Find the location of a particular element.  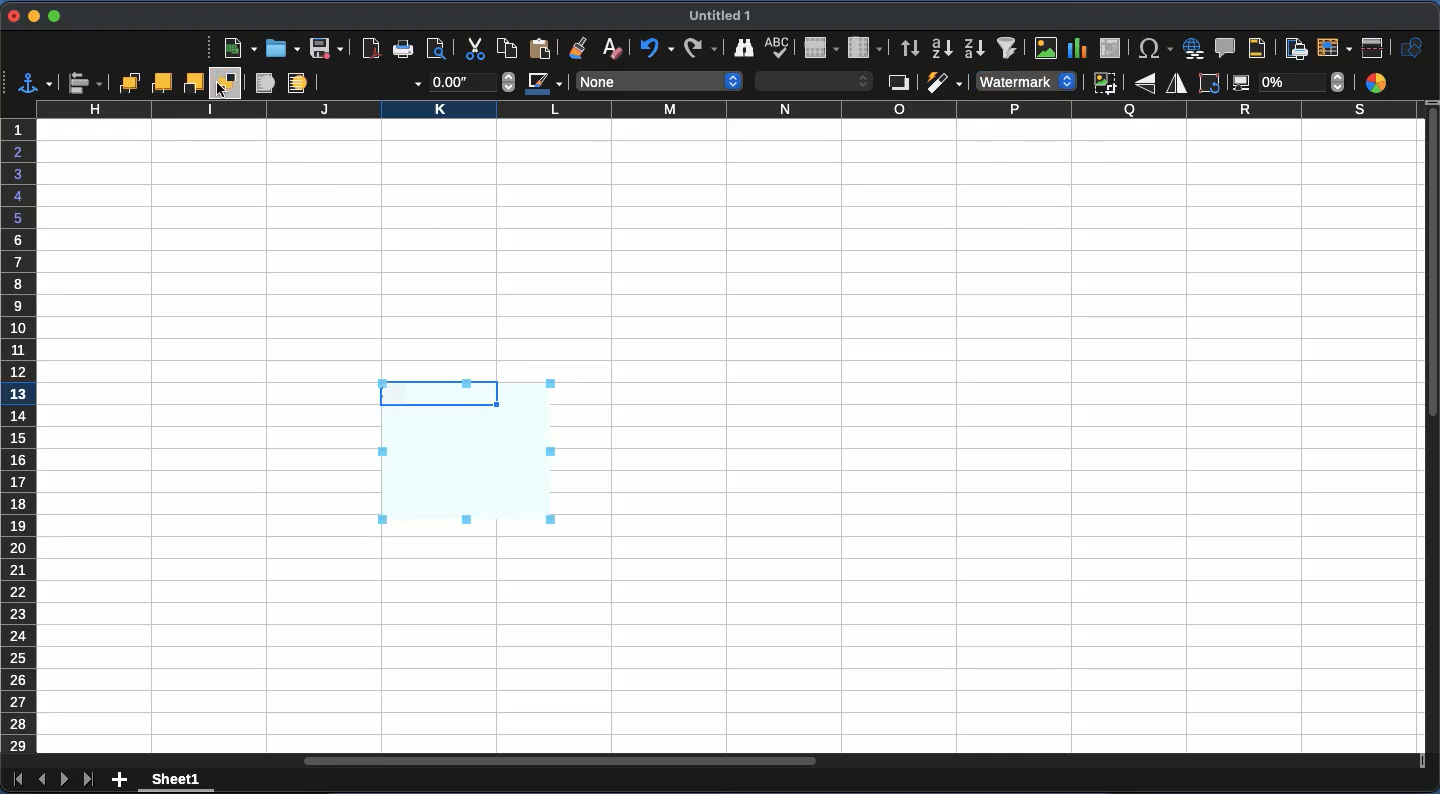

redo is located at coordinates (696, 47).